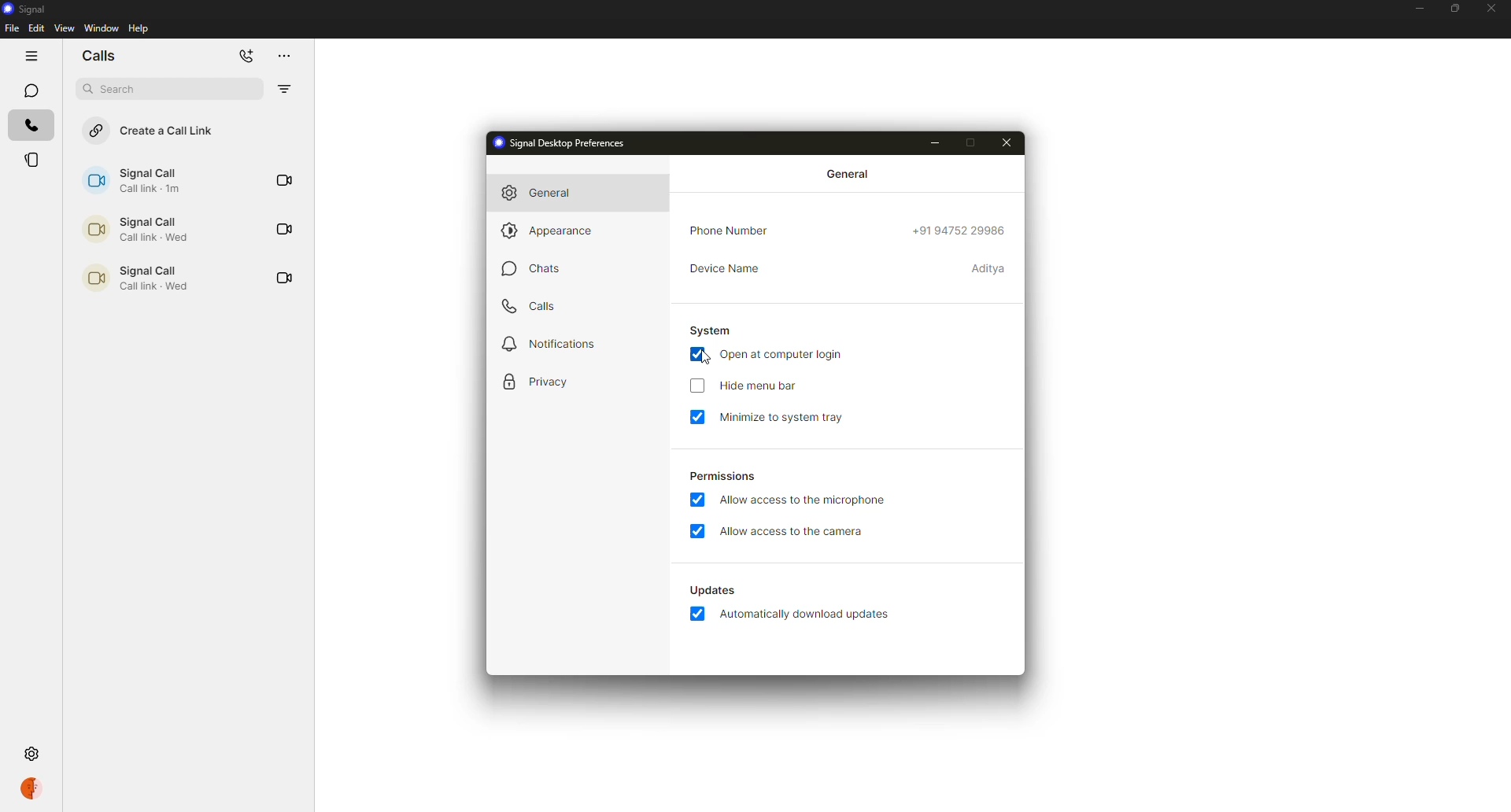  Describe the element at coordinates (801, 500) in the screenshot. I see `allow access to microphone` at that location.